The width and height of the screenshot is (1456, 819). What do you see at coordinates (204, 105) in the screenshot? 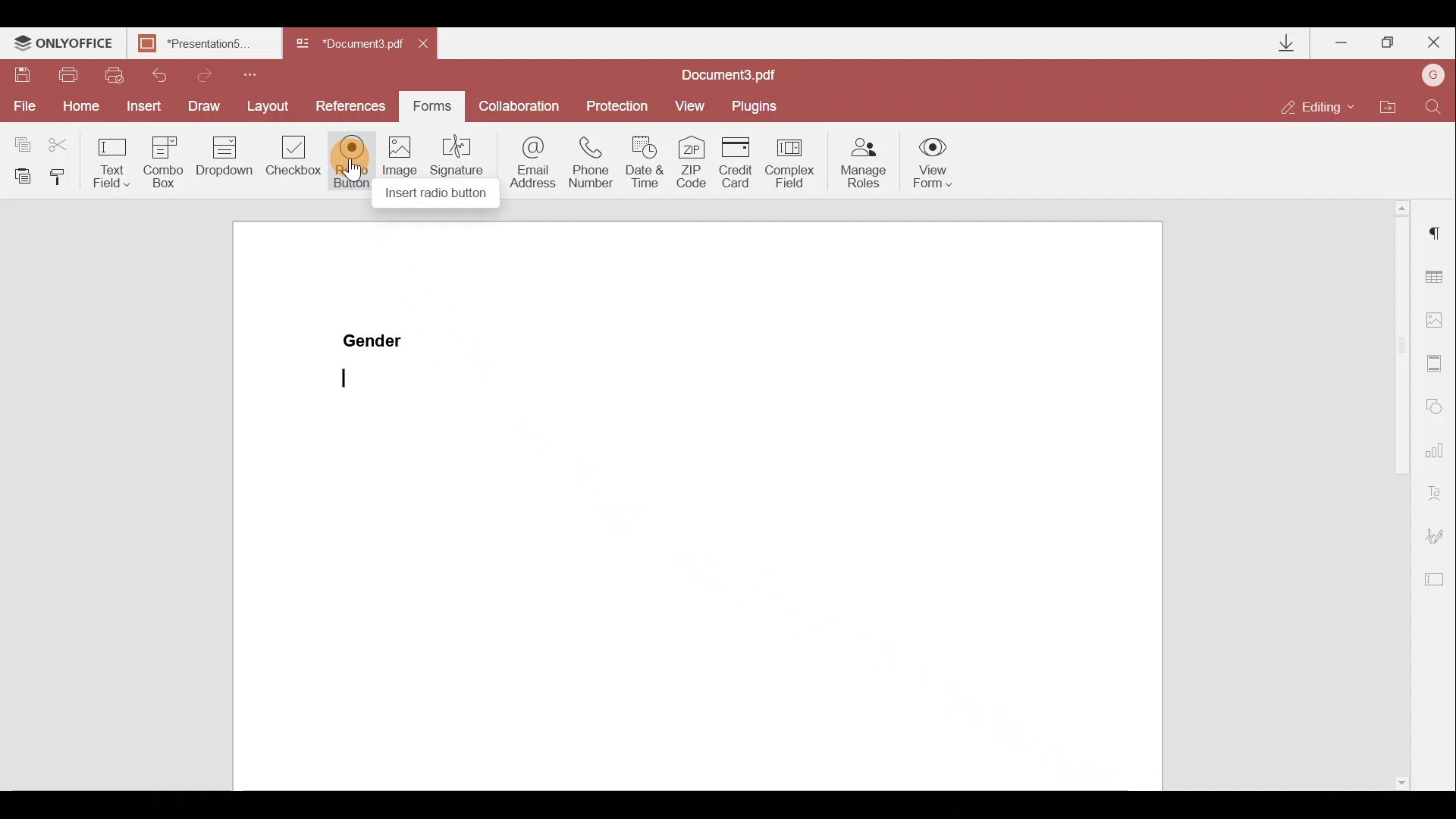
I see `Draw` at bounding box center [204, 105].